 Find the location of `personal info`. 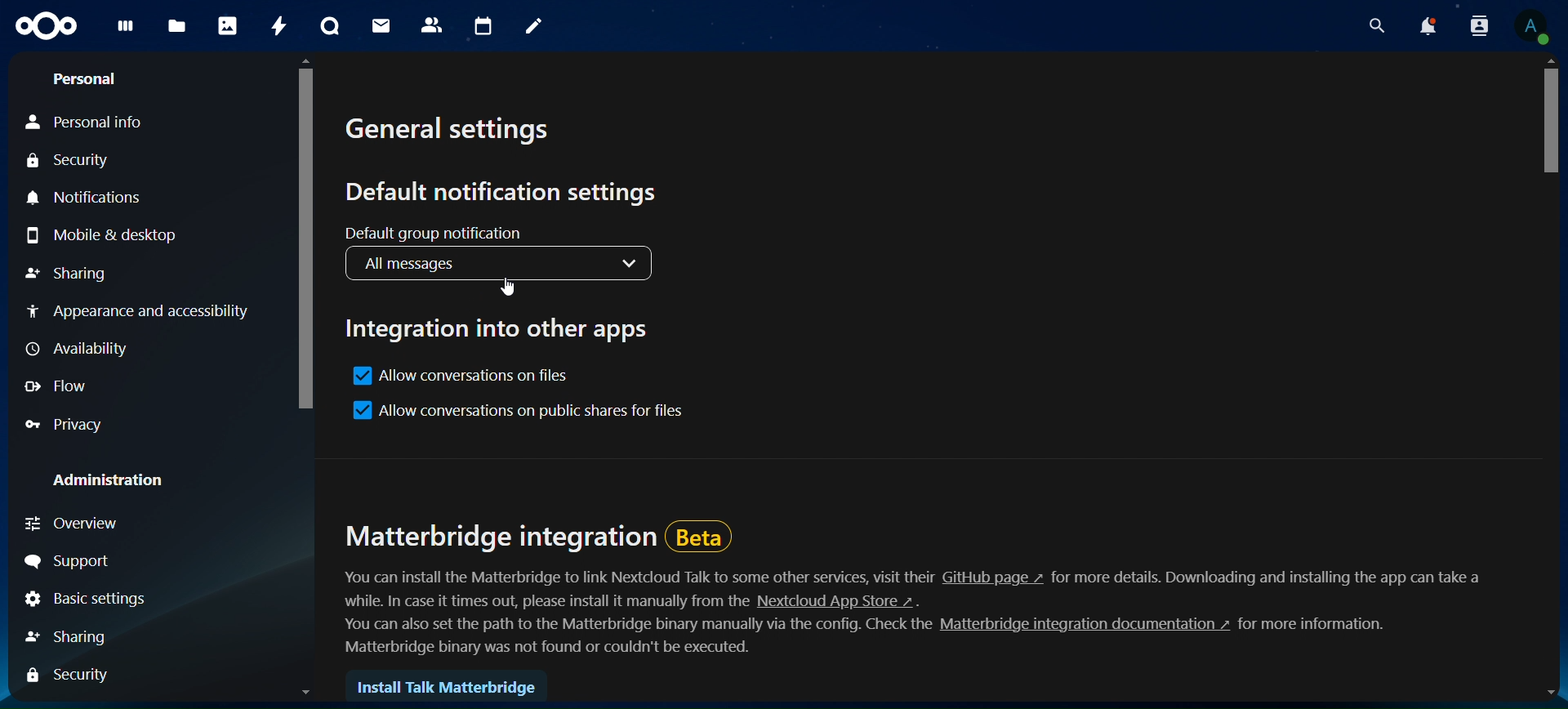

personal info is located at coordinates (89, 121).